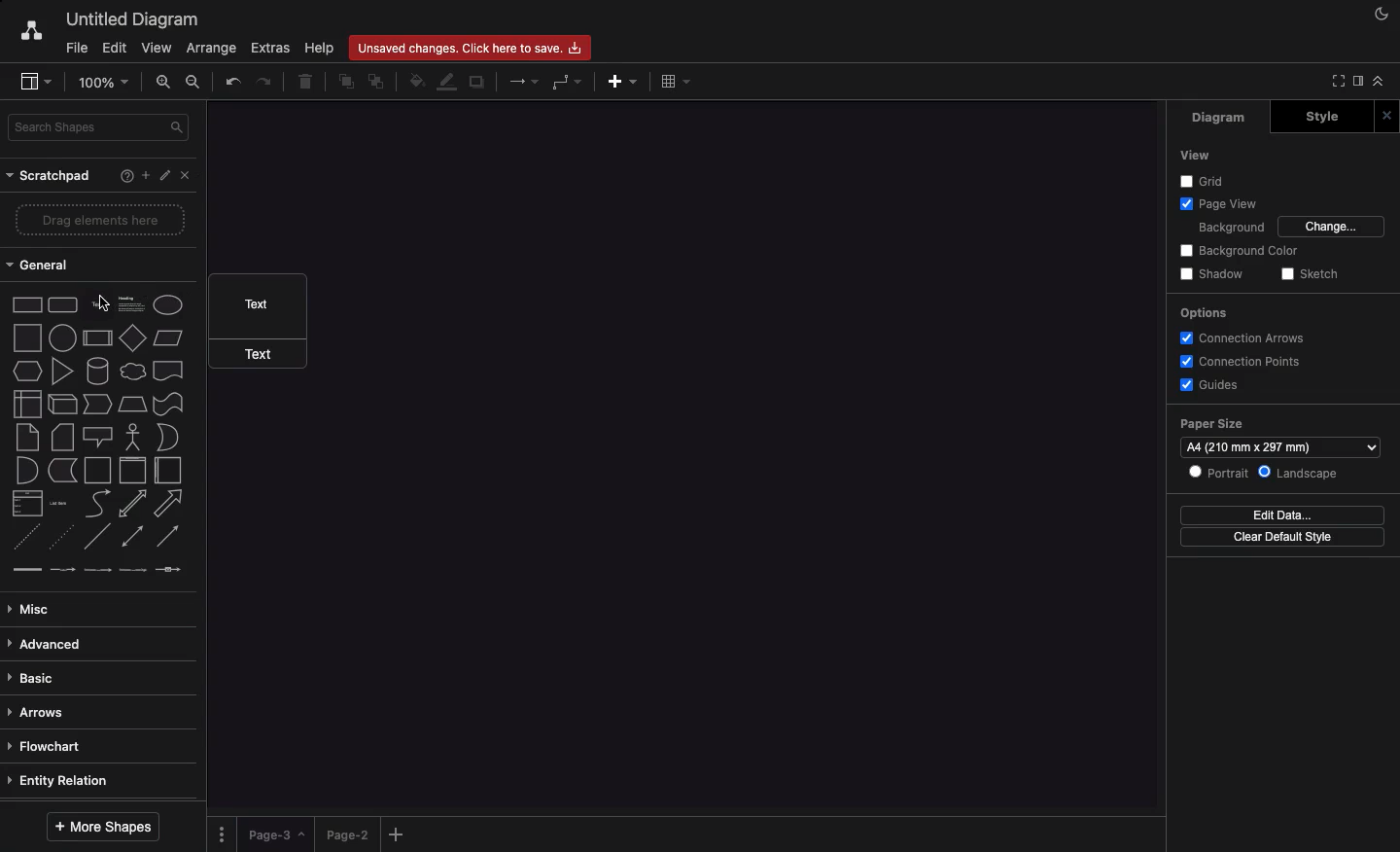  Describe the element at coordinates (28, 304) in the screenshot. I see `rectangle` at that location.